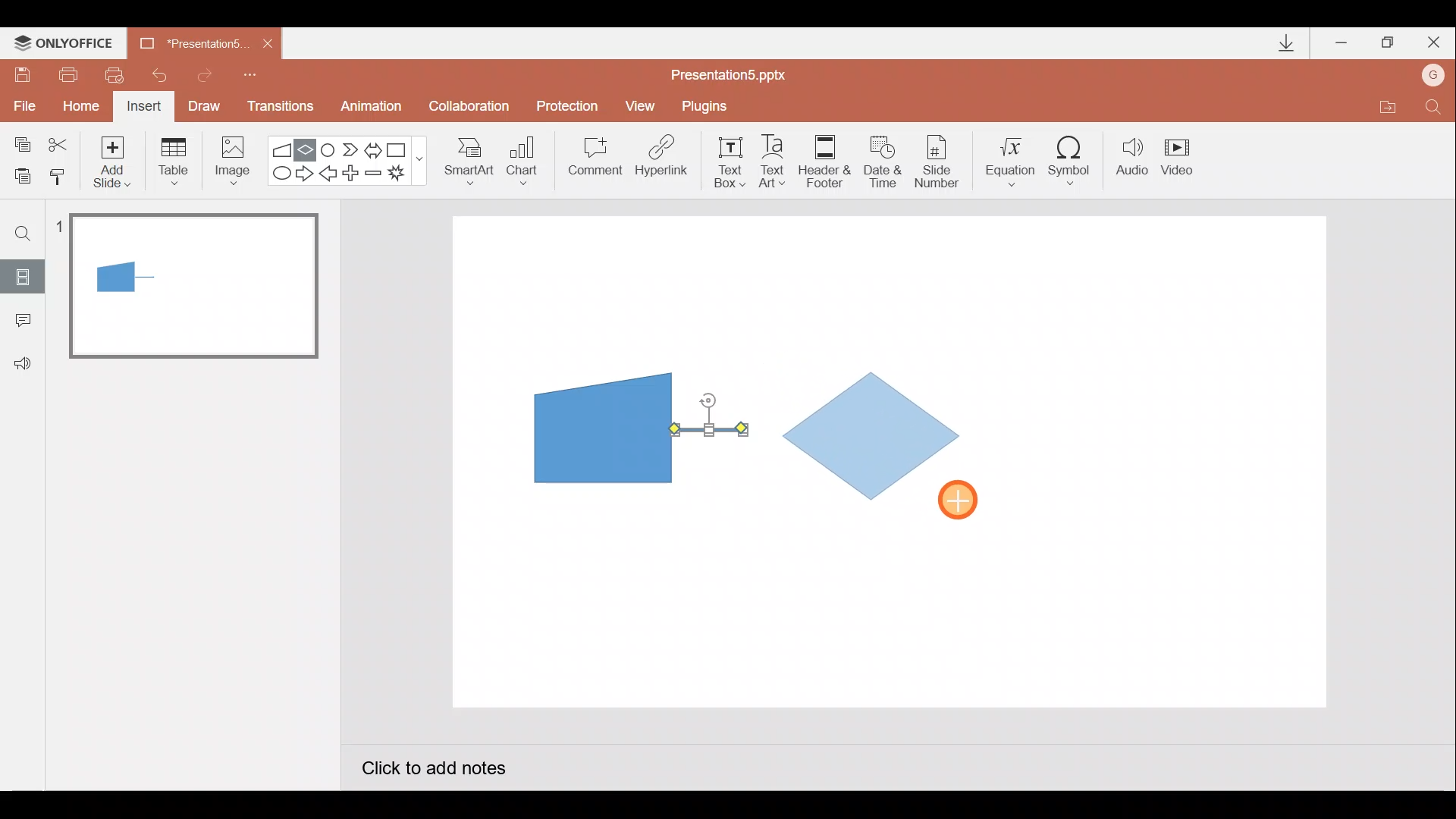 The height and width of the screenshot is (819, 1456). What do you see at coordinates (268, 44) in the screenshot?
I see `Close` at bounding box center [268, 44].